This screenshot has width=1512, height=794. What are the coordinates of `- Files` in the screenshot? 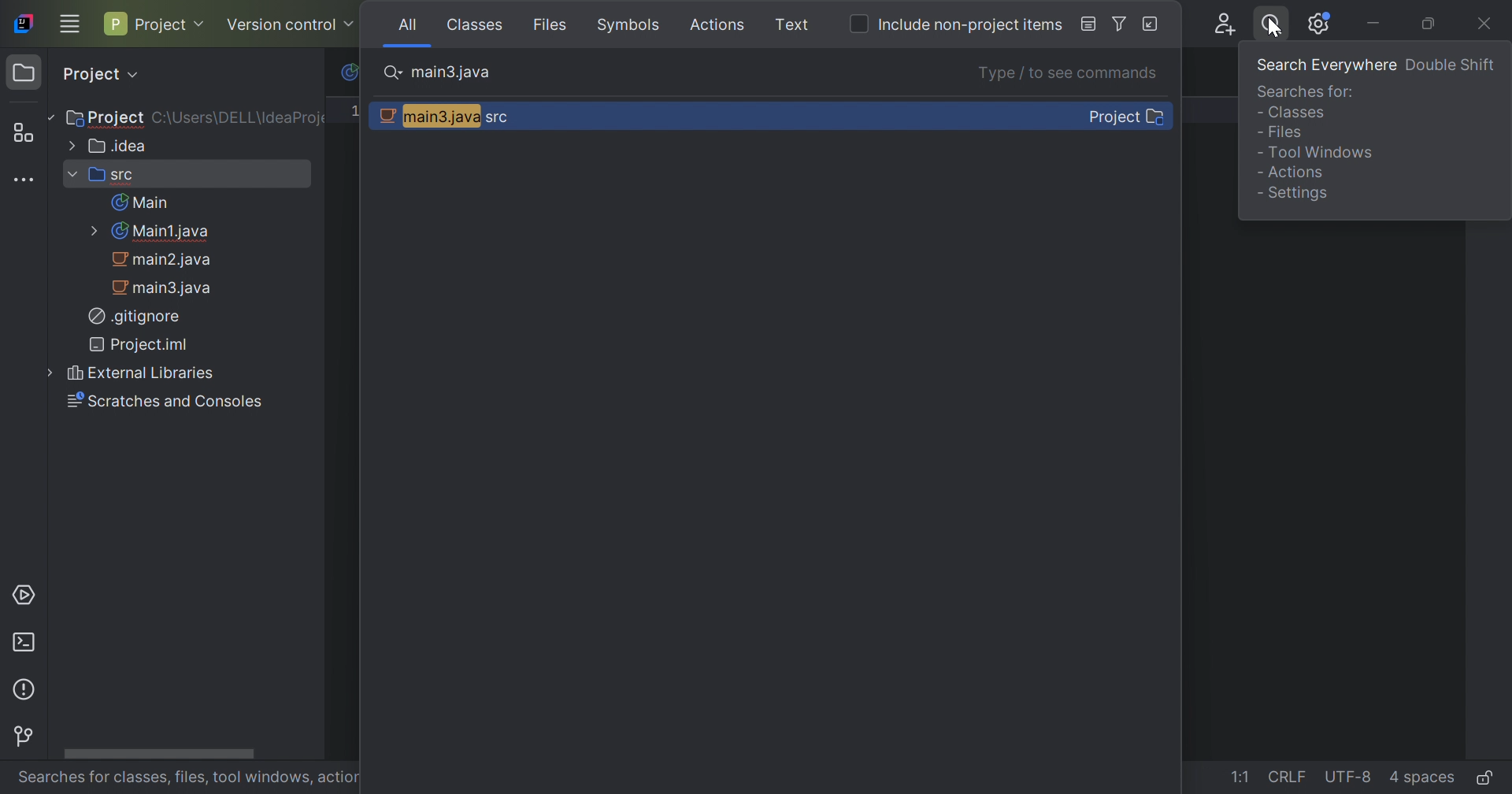 It's located at (1281, 137).